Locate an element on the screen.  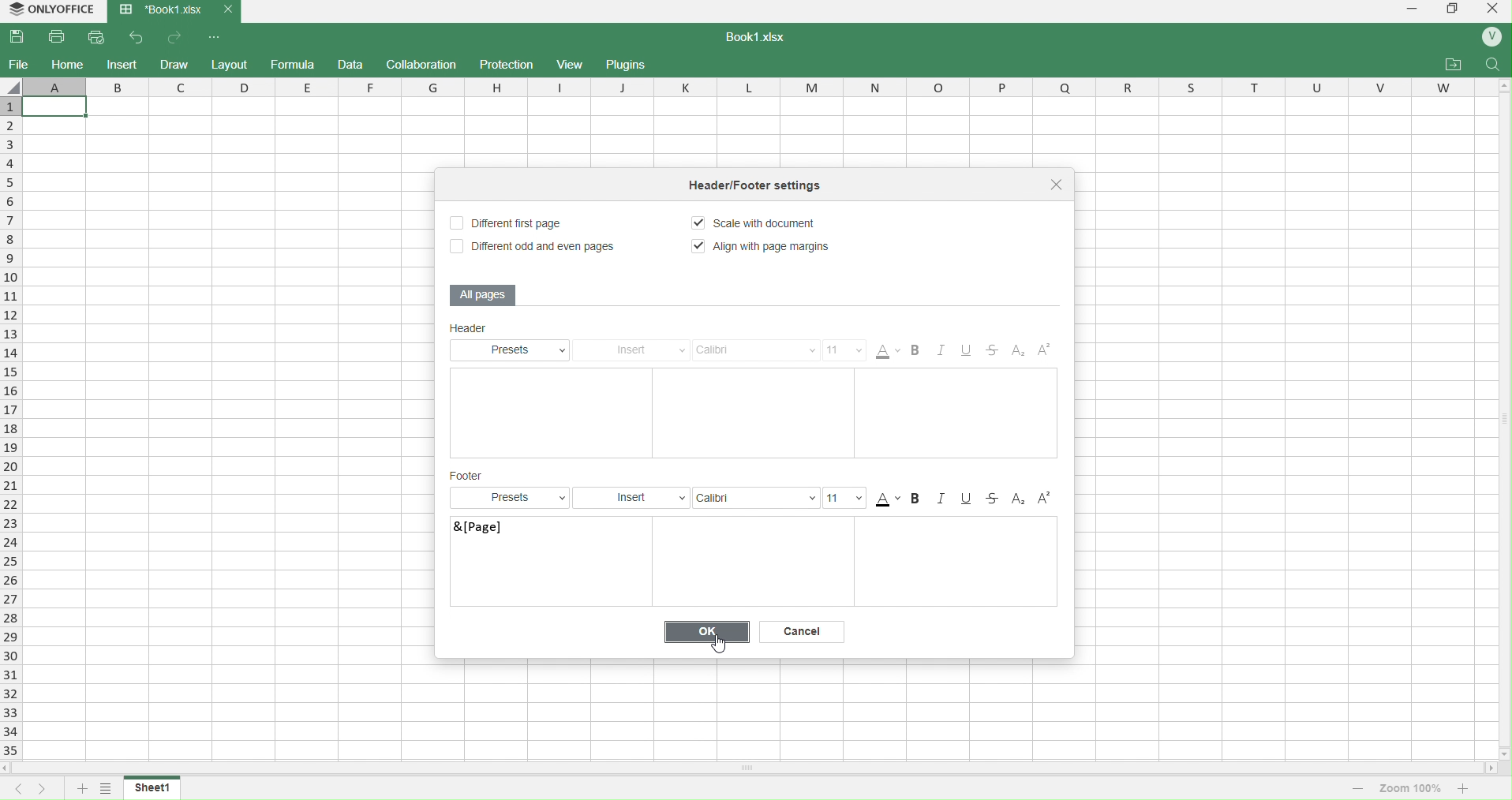
Underline is located at coordinates (972, 352).